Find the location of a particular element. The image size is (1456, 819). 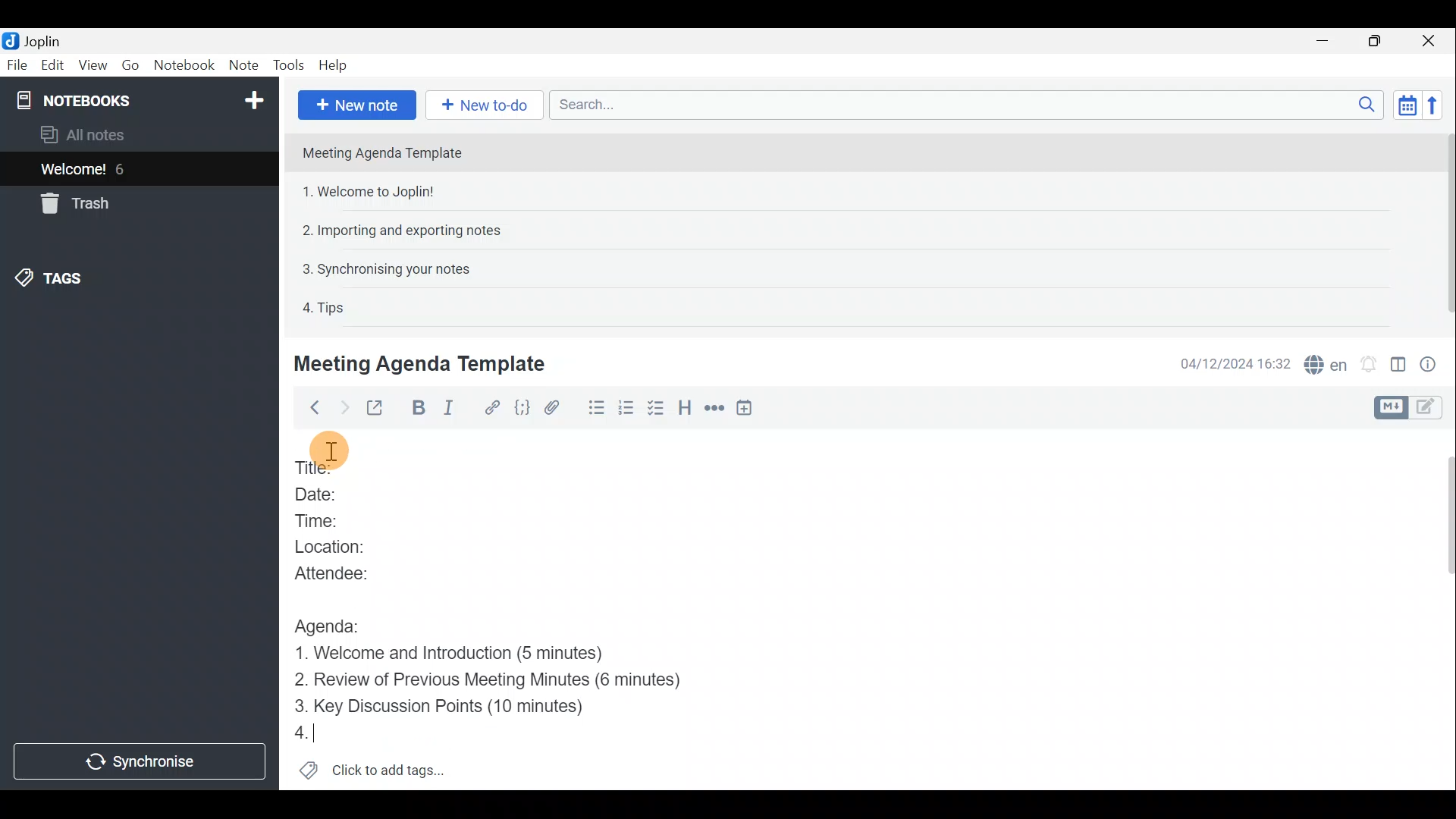

Note is located at coordinates (242, 62).